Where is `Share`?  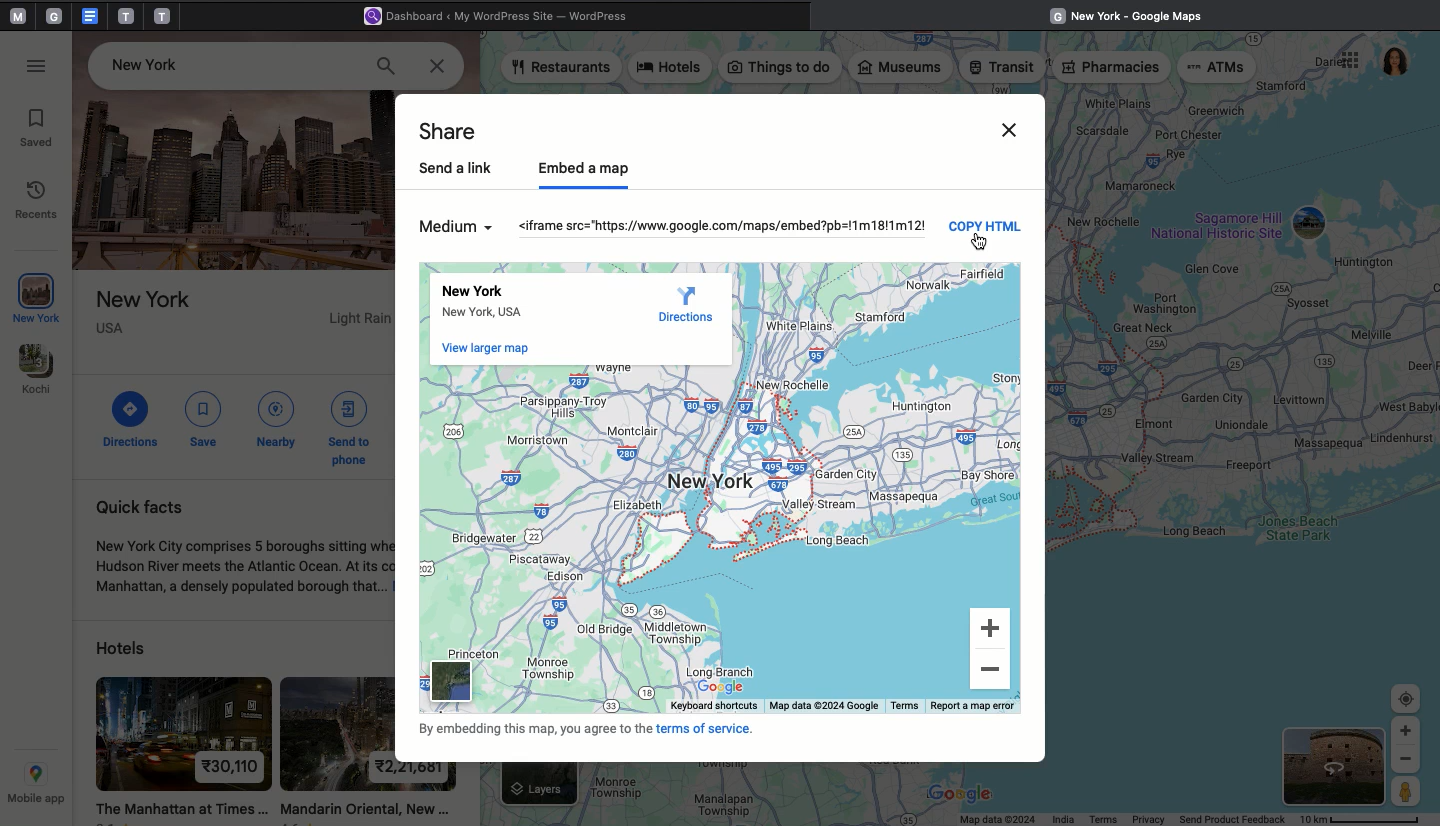 Share is located at coordinates (457, 131).